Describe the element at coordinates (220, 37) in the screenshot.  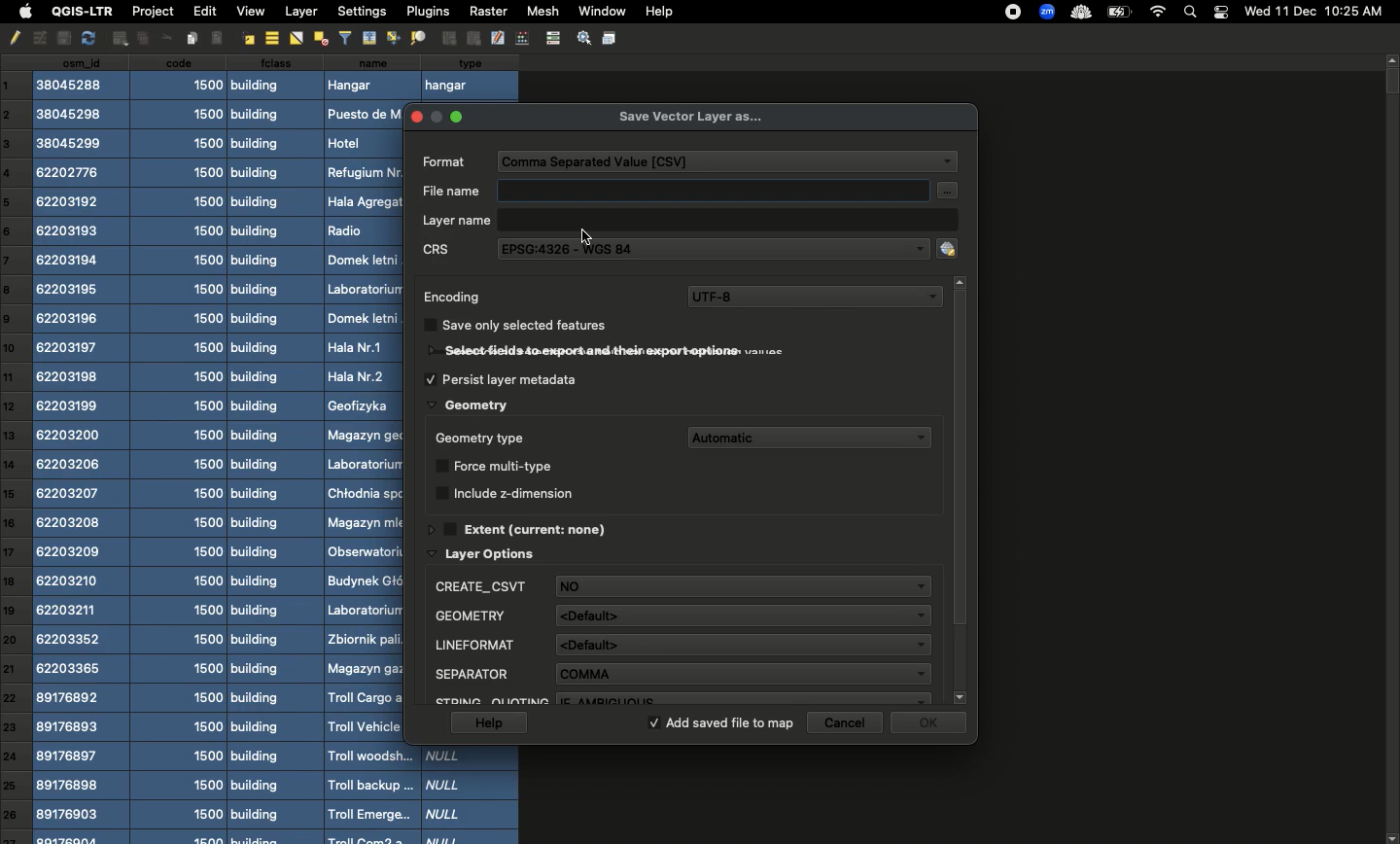
I see `Align Left` at that location.